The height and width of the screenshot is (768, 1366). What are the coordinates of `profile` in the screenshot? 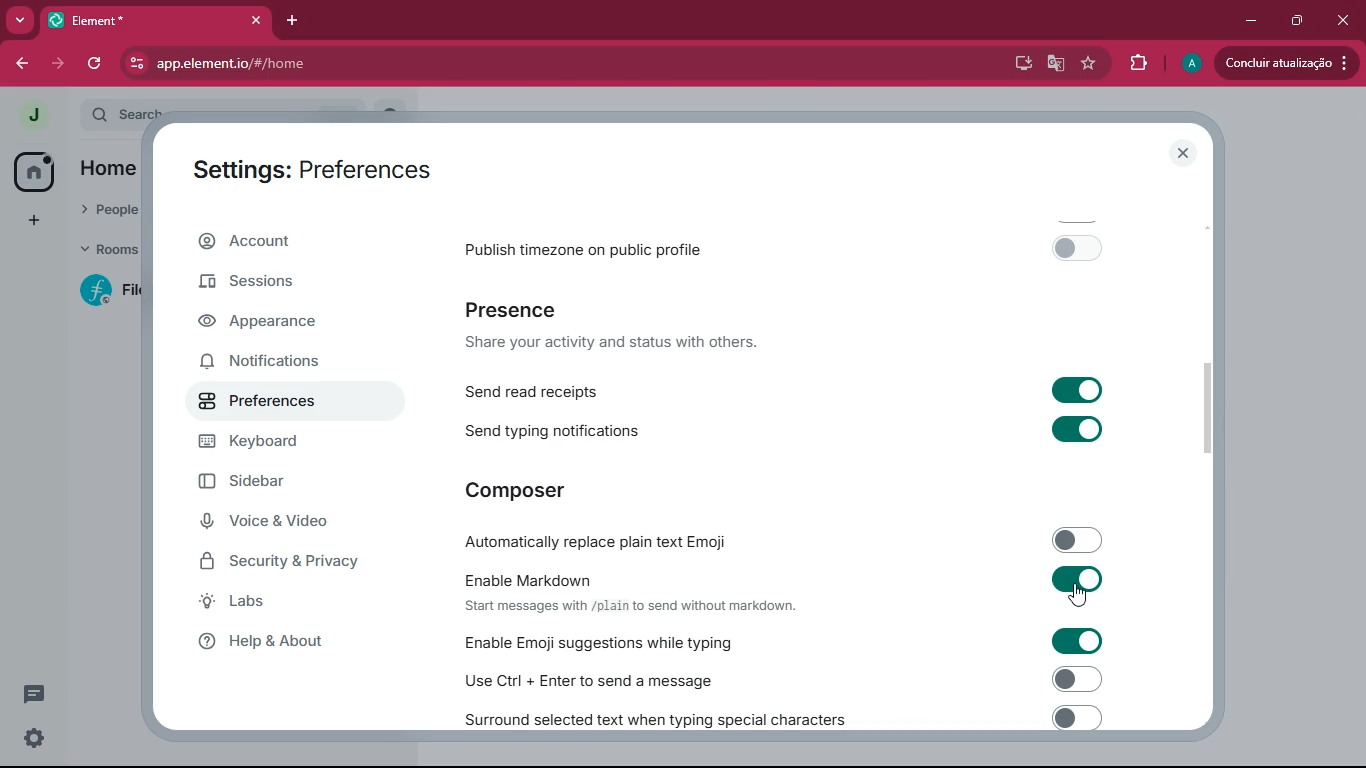 It's located at (1191, 63).